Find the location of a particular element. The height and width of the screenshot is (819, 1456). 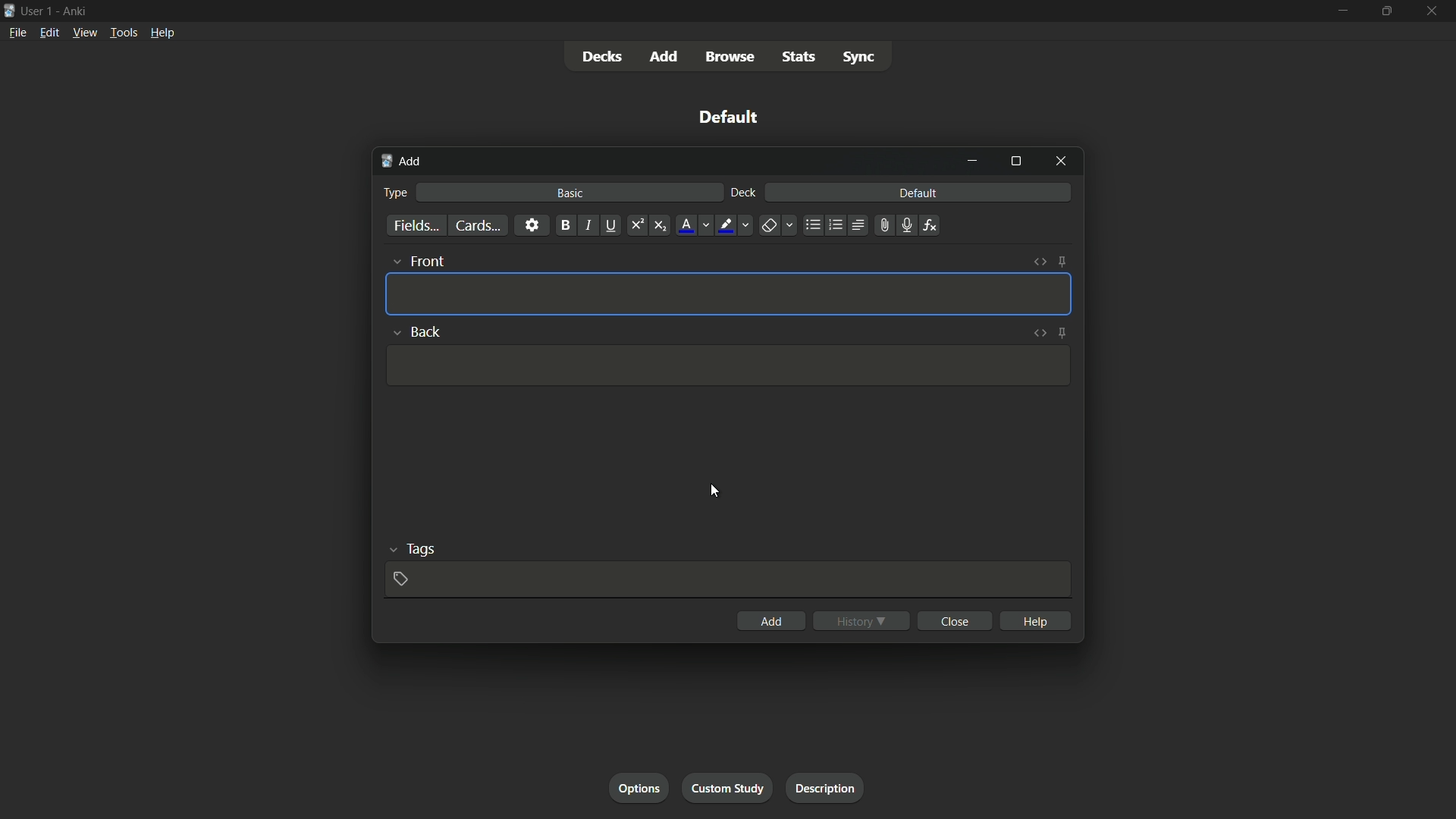

close is located at coordinates (1430, 11).